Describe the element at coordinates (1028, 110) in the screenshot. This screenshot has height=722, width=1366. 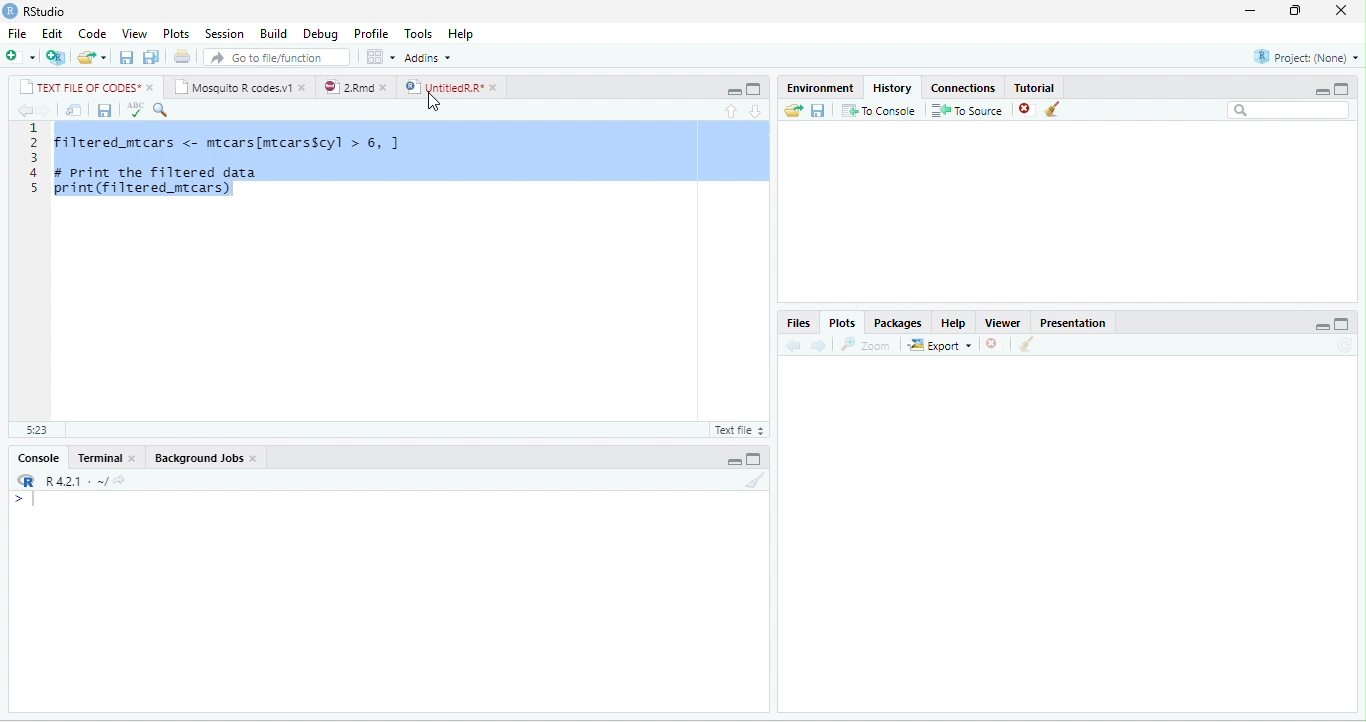
I see `close file` at that location.